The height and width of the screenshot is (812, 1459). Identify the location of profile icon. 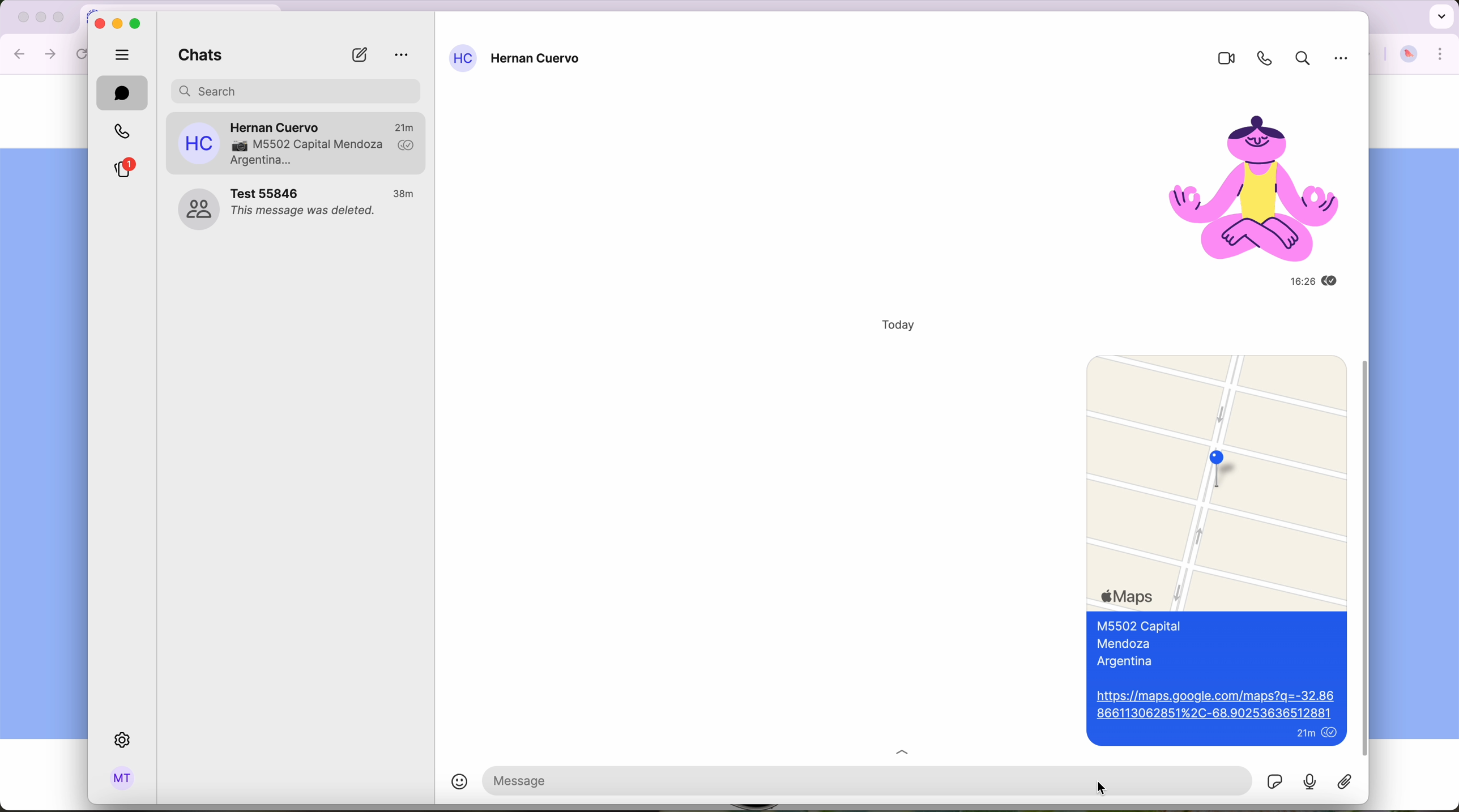
(199, 143).